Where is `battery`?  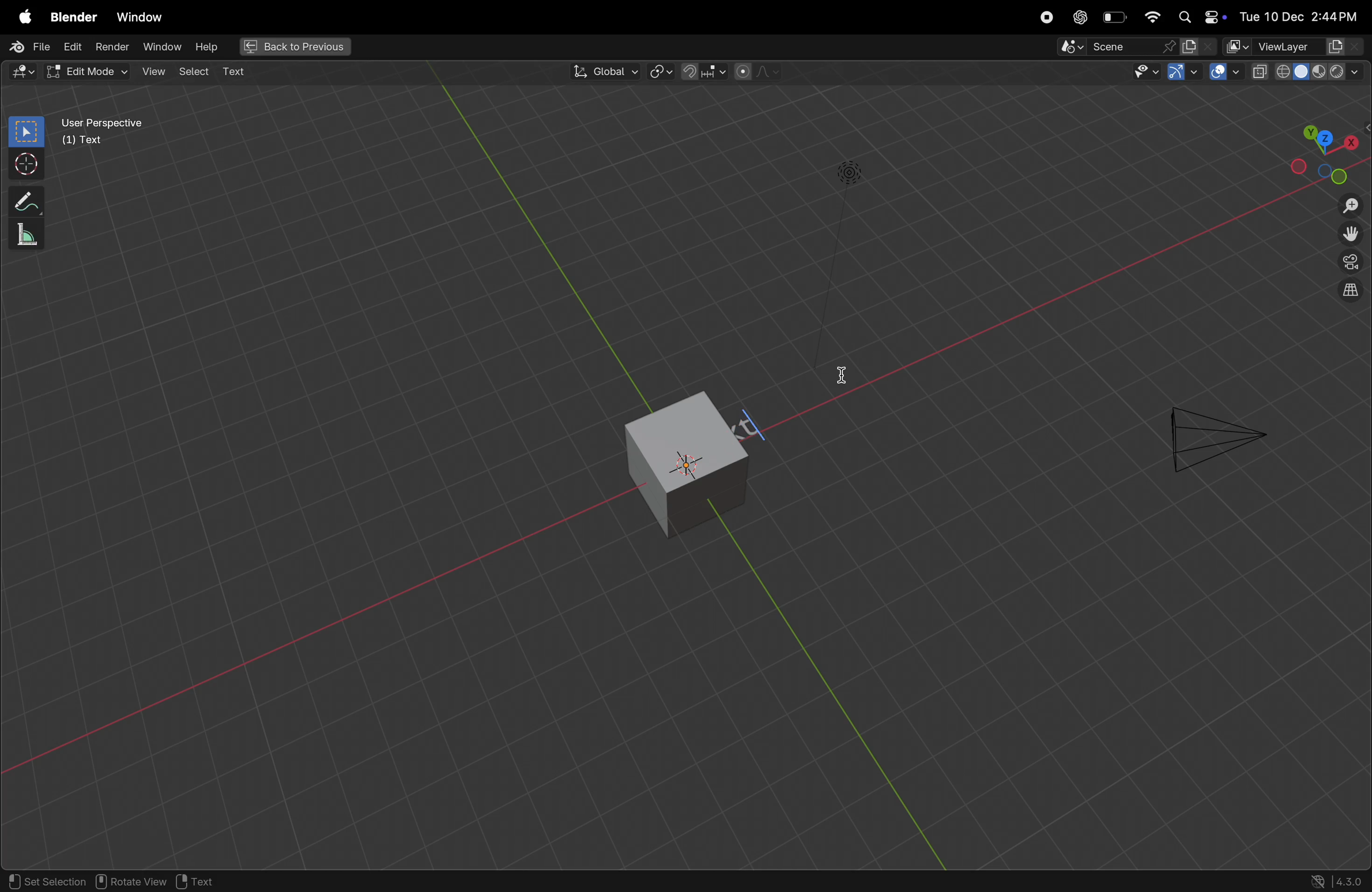 battery is located at coordinates (1115, 17).